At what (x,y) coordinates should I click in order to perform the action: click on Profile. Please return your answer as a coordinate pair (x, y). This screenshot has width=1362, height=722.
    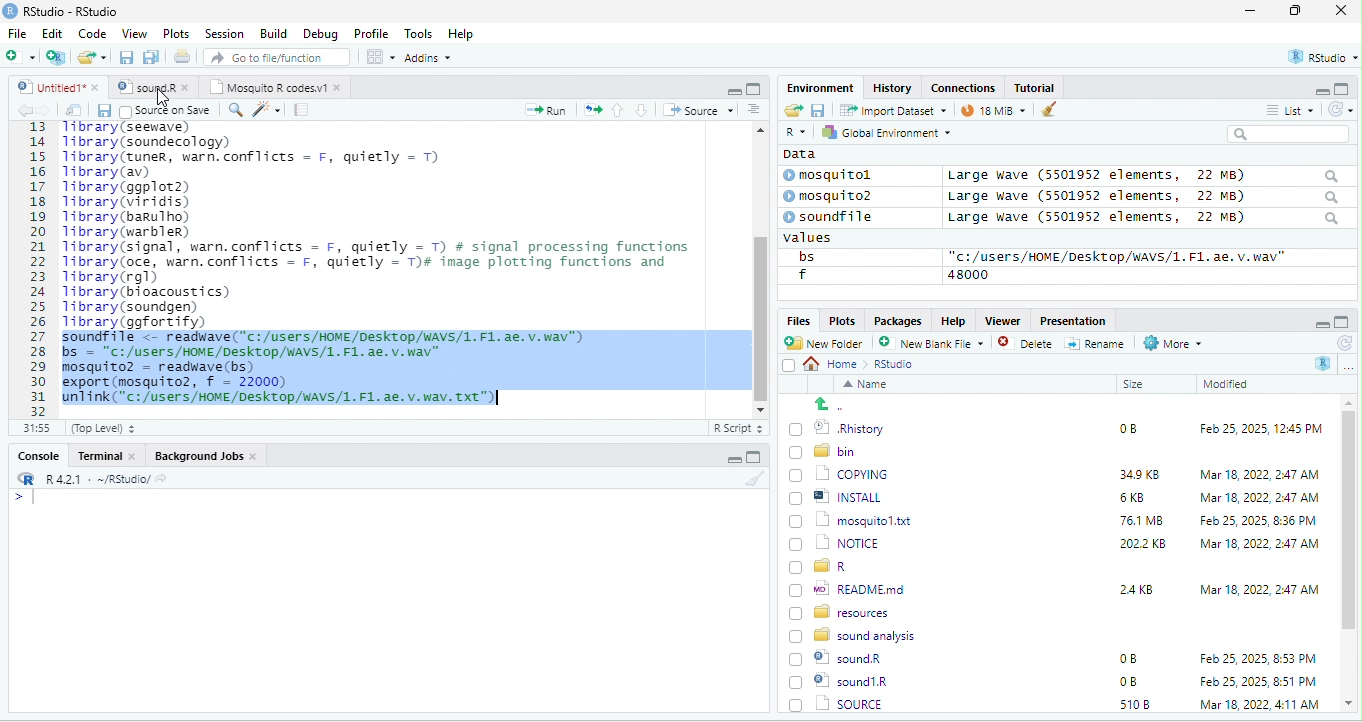
    Looking at the image, I should click on (371, 34).